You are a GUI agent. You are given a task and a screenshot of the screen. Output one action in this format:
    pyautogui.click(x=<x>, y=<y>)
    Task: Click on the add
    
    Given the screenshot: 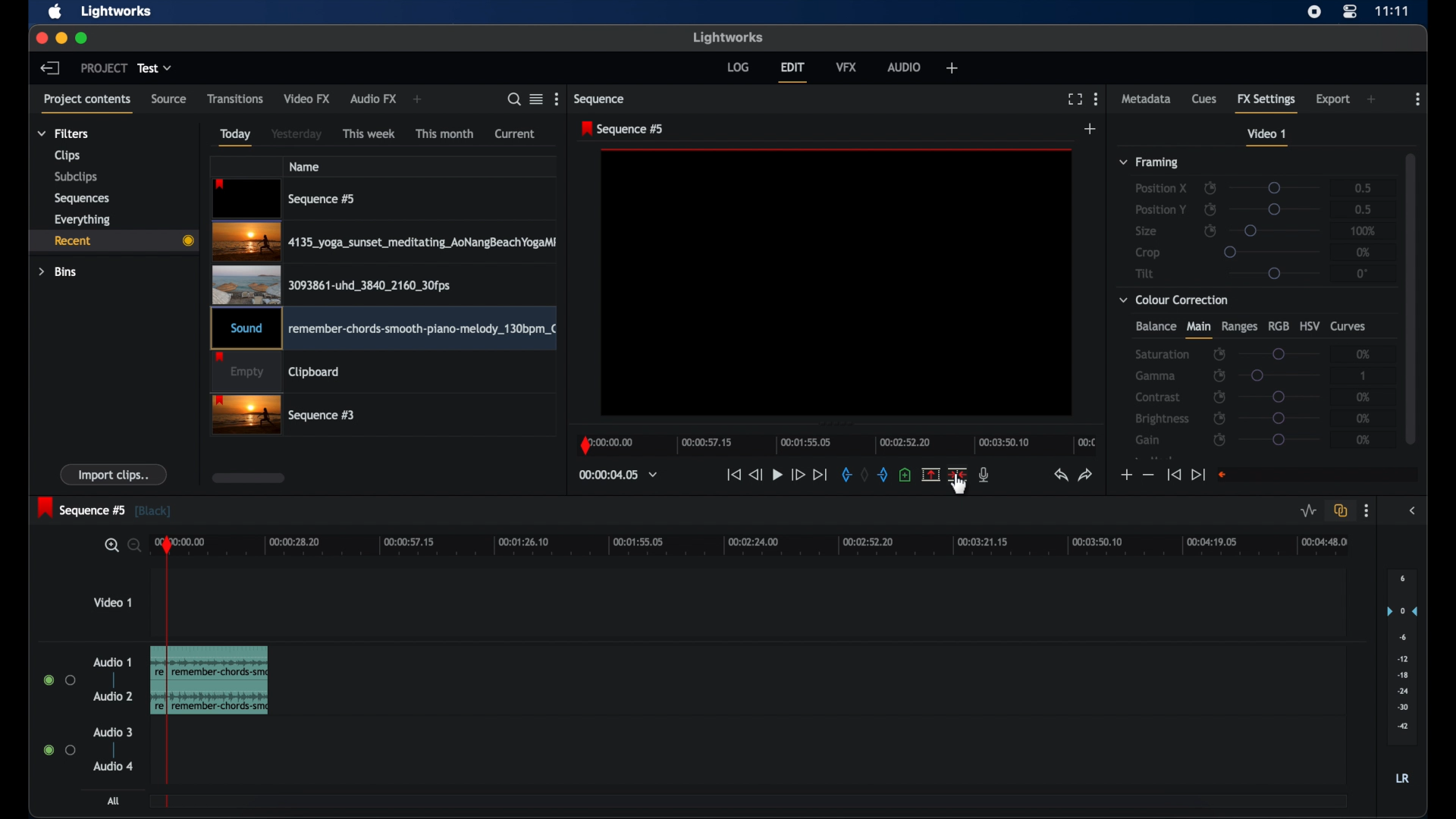 What is the action you would take?
    pyautogui.click(x=1371, y=99)
    